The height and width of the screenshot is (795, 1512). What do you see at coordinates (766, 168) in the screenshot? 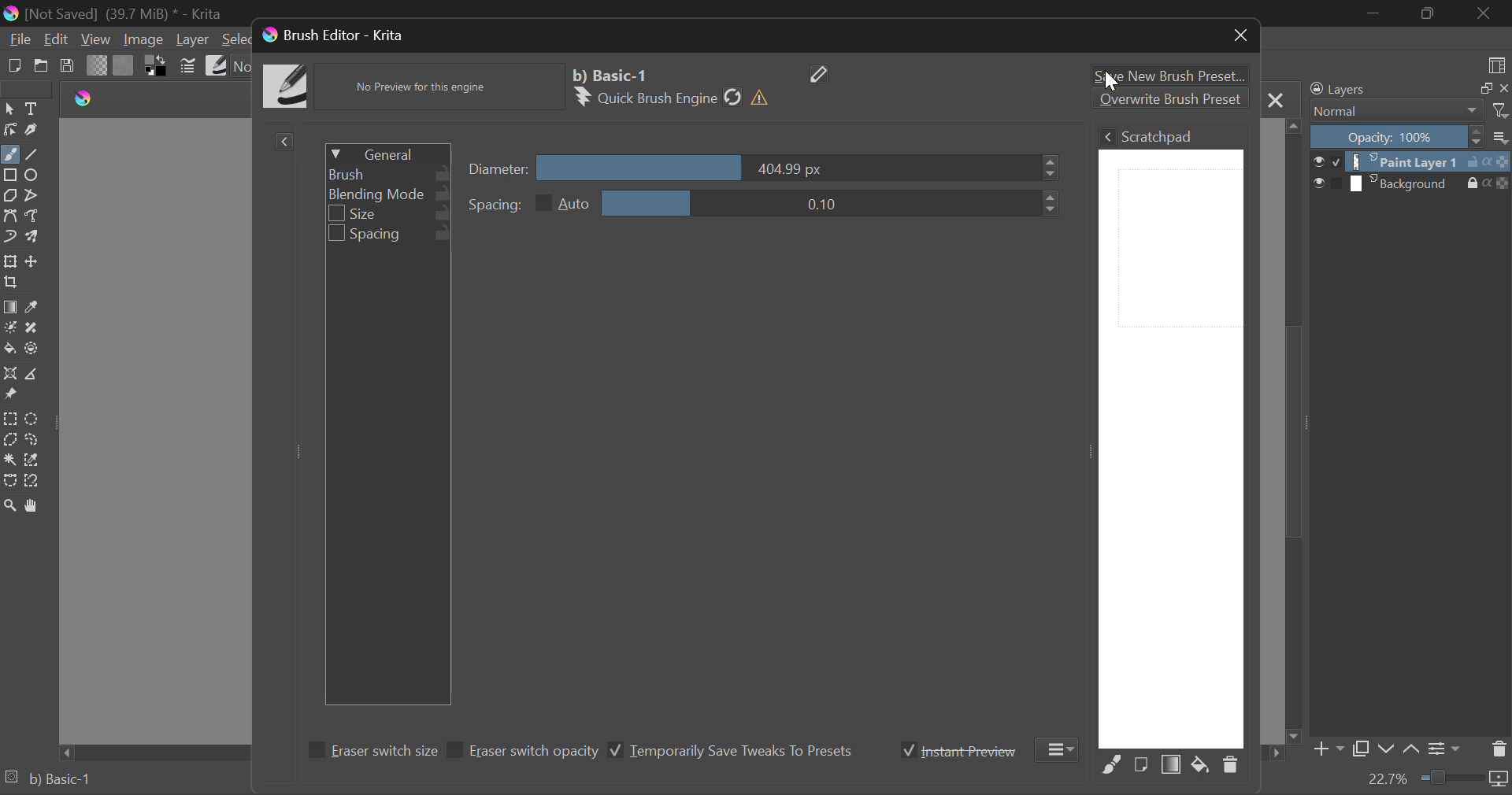
I see `Diameter Slider` at bounding box center [766, 168].